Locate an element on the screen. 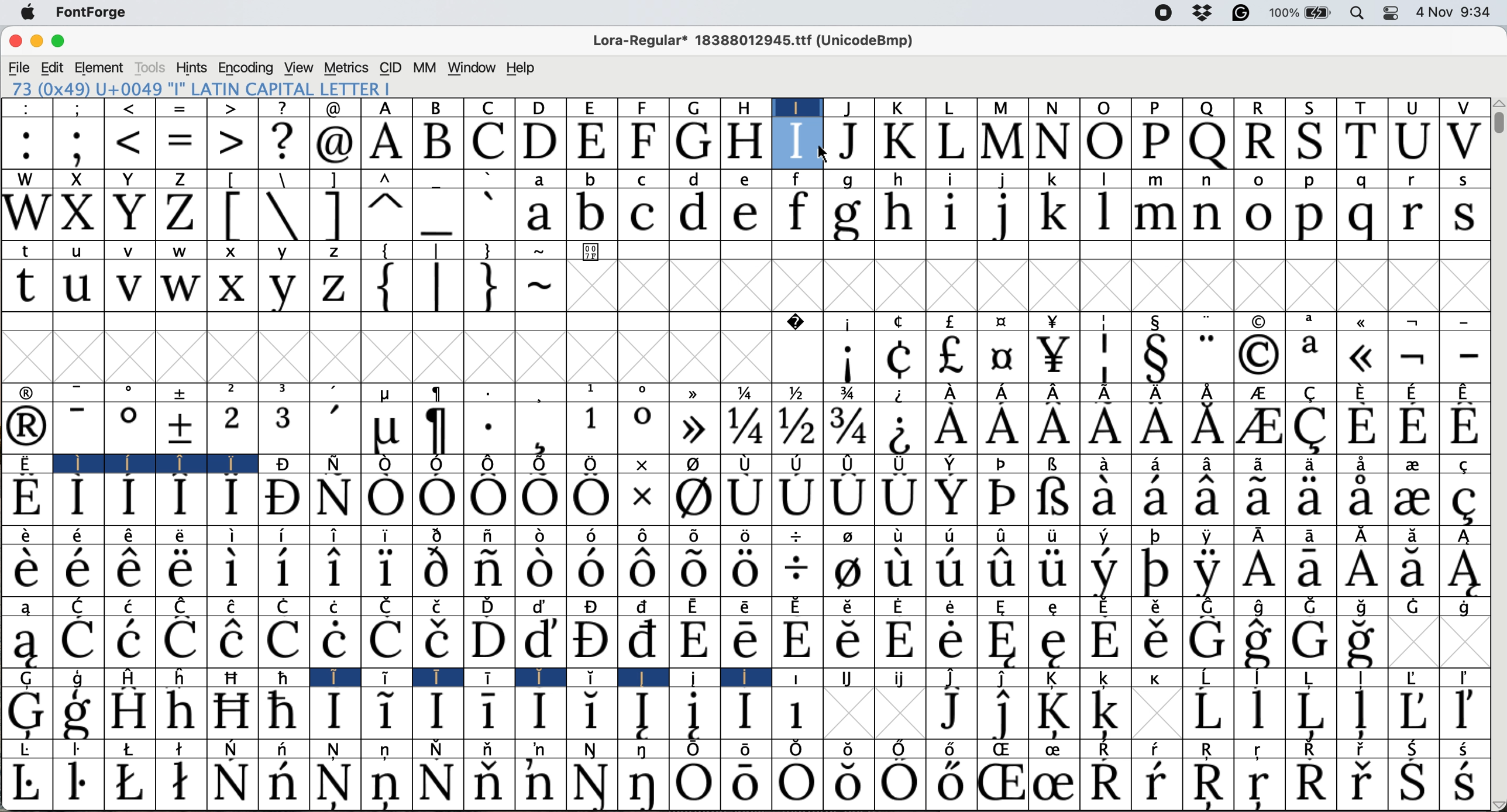 Image resolution: width=1507 pixels, height=812 pixels. Symbol is located at coordinates (747, 570).